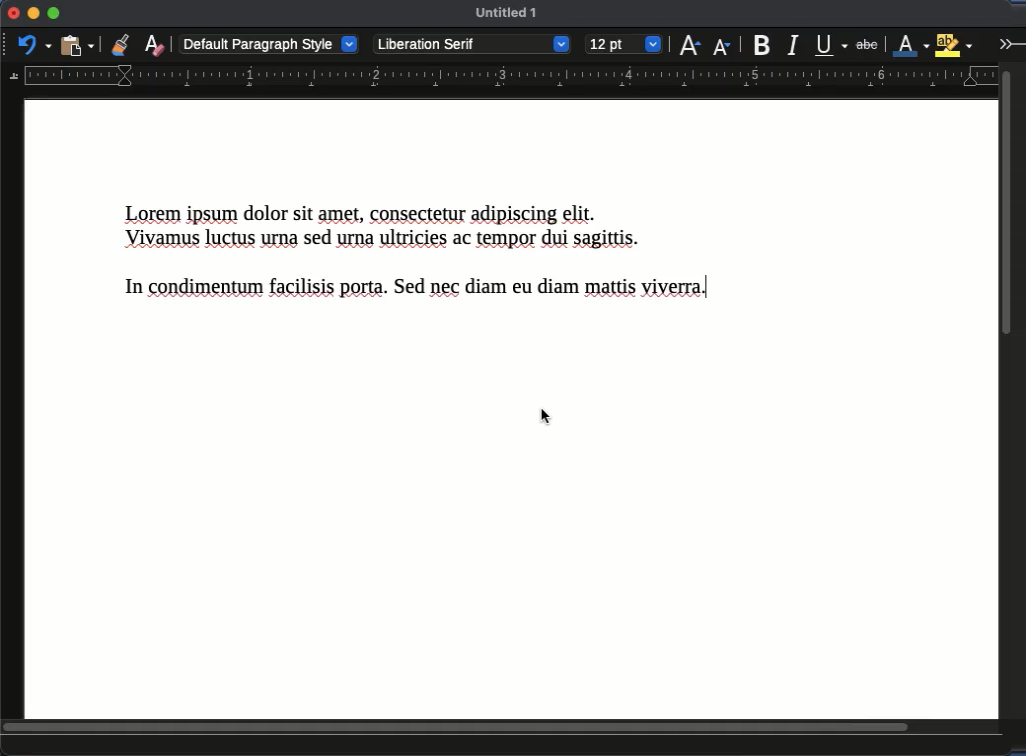 The image size is (1026, 756). I want to click on decrease size, so click(723, 45).